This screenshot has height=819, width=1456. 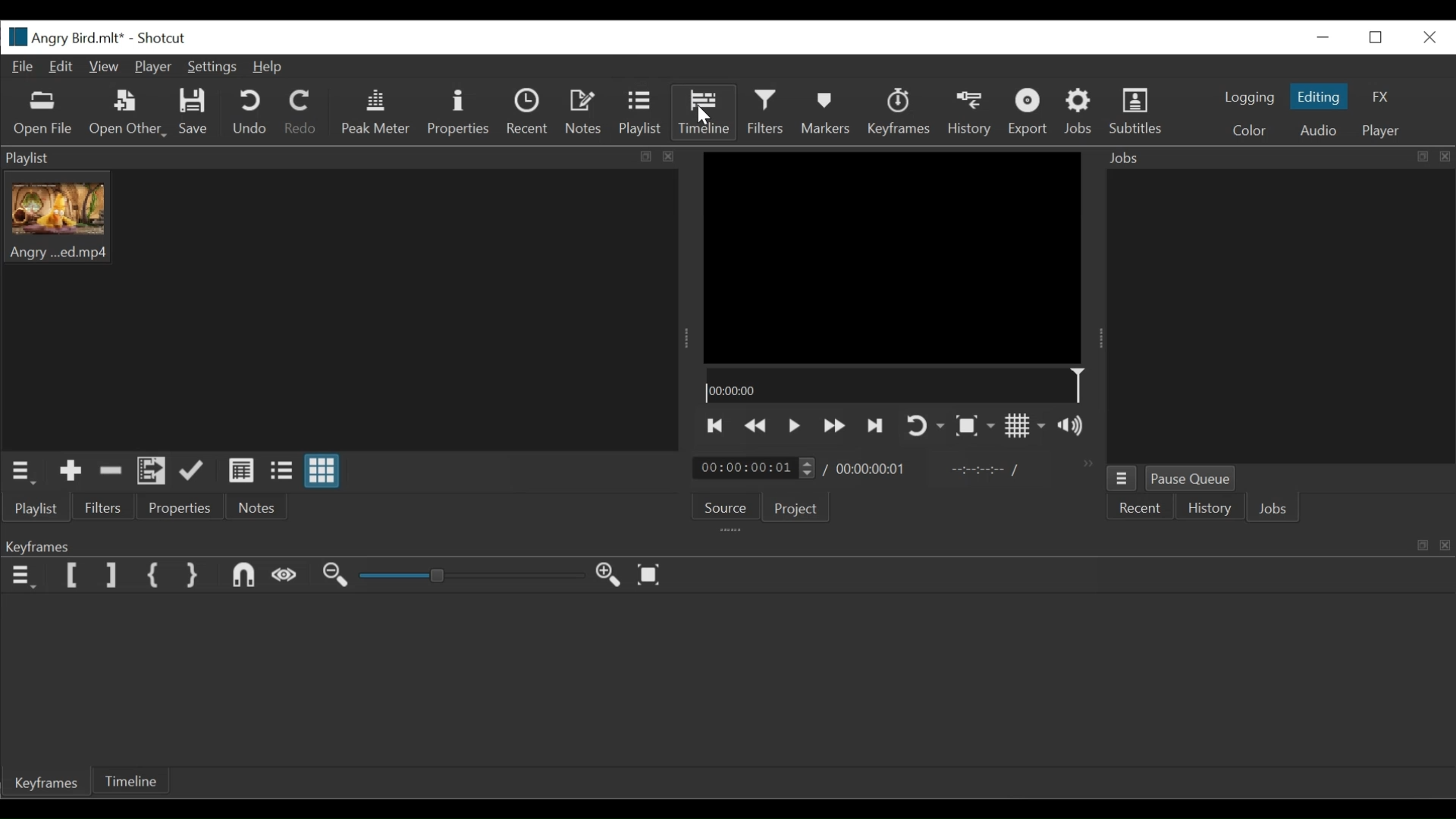 What do you see at coordinates (1250, 129) in the screenshot?
I see `Color` at bounding box center [1250, 129].